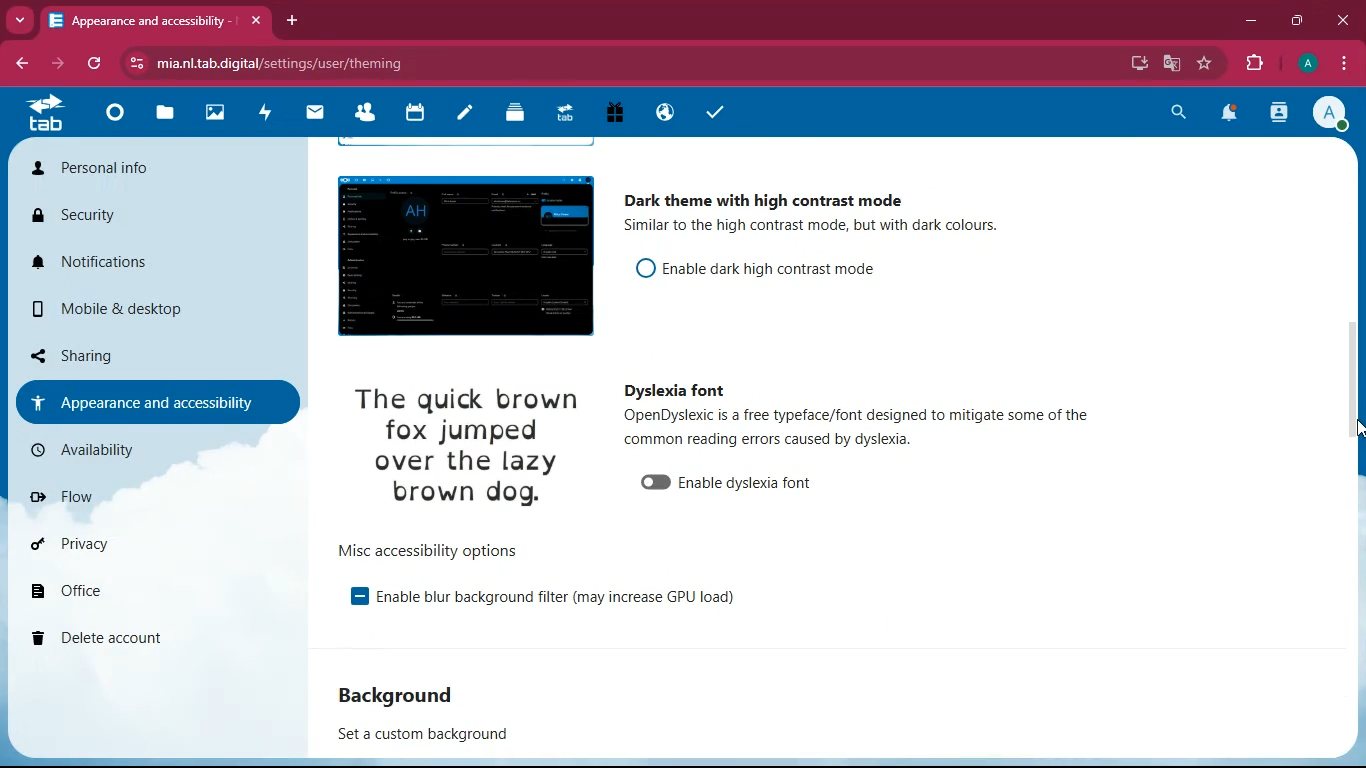 This screenshot has height=768, width=1366. Describe the element at coordinates (1230, 112) in the screenshot. I see `notifications` at that location.